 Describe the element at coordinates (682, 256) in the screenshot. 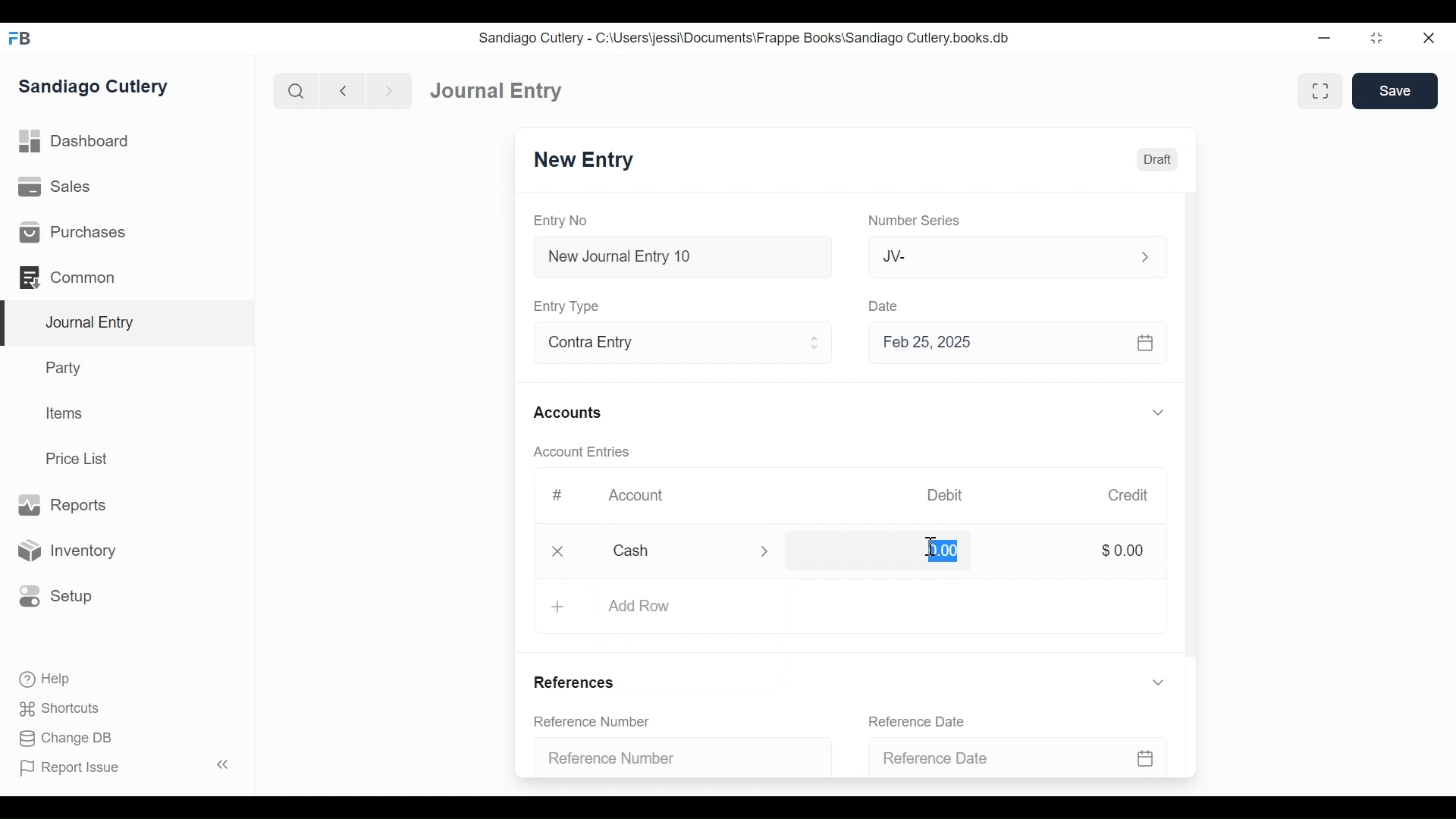

I see `New Journal Entry 10` at that location.